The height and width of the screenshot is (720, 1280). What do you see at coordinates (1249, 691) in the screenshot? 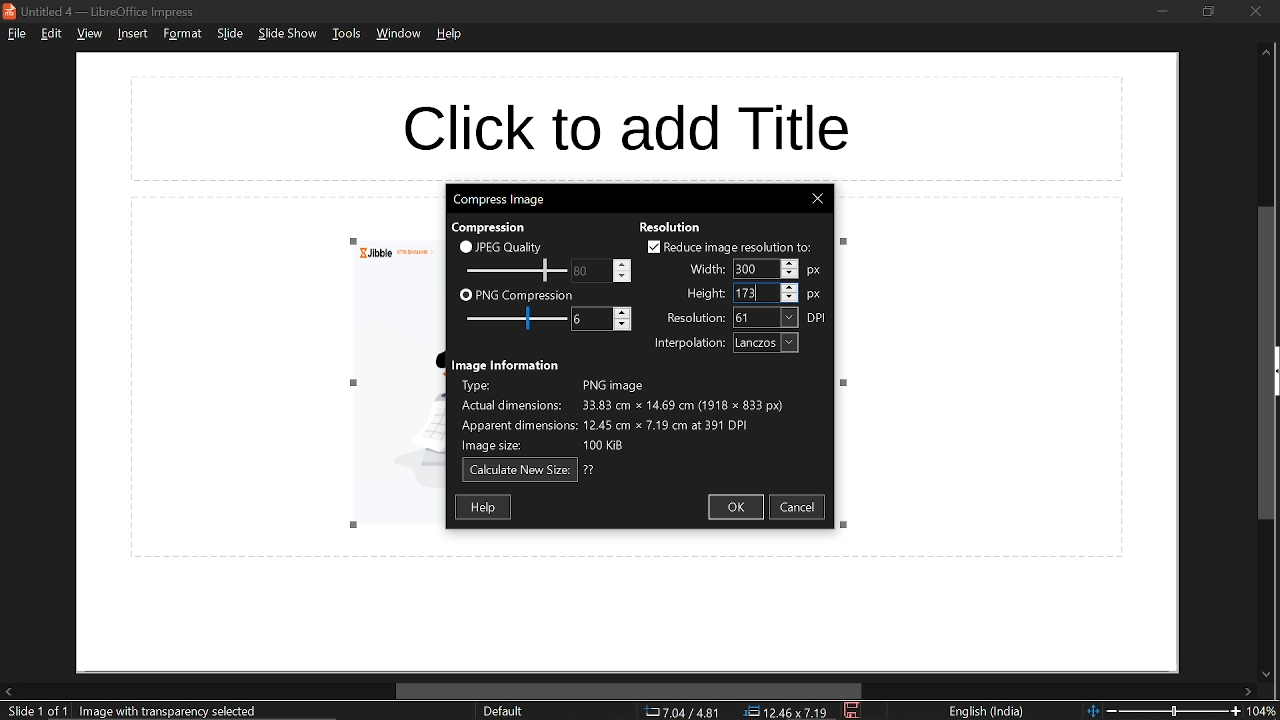
I see `move right` at bounding box center [1249, 691].